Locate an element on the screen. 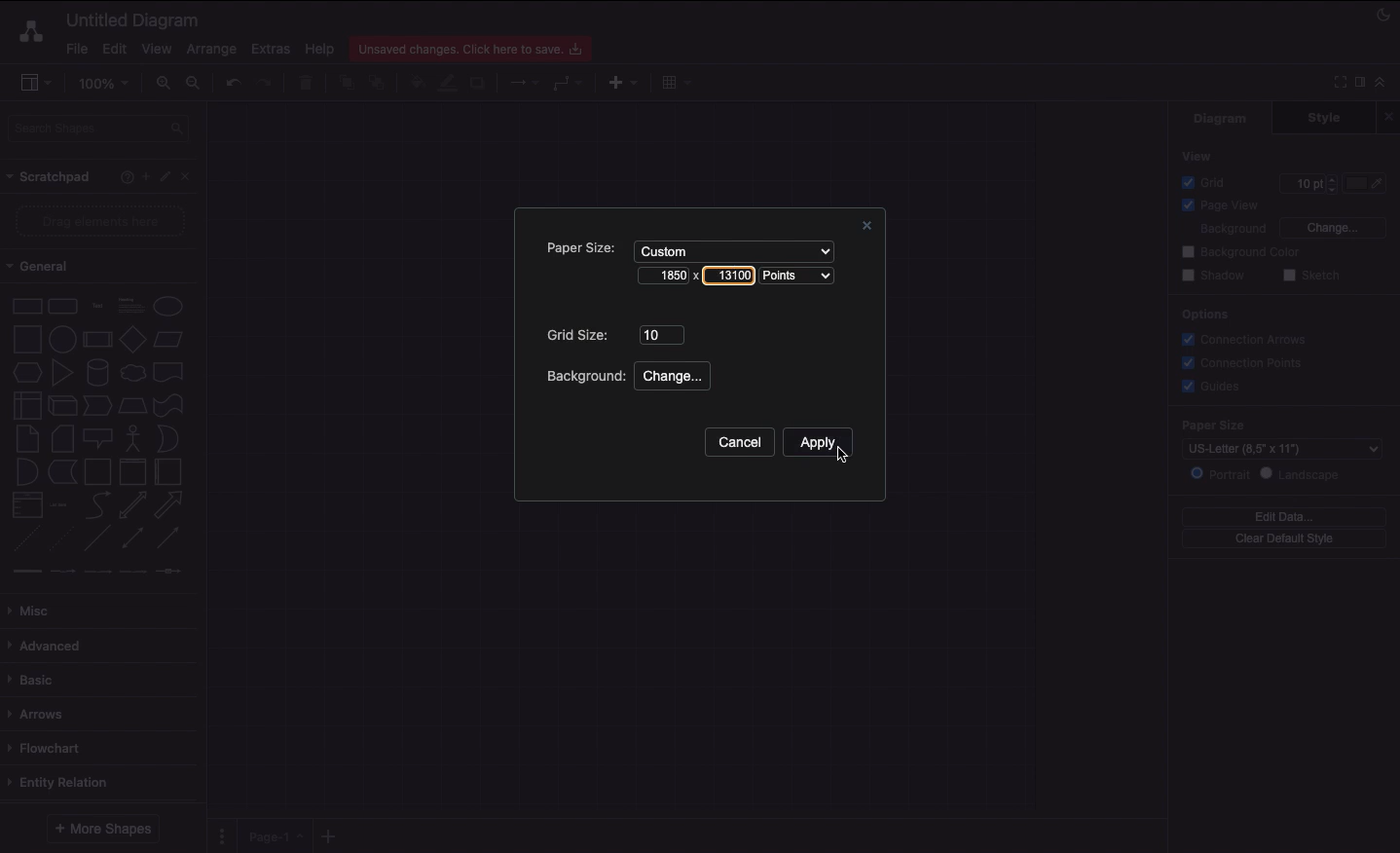 The width and height of the screenshot is (1400, 853). View is located at coordinates (157, 46).